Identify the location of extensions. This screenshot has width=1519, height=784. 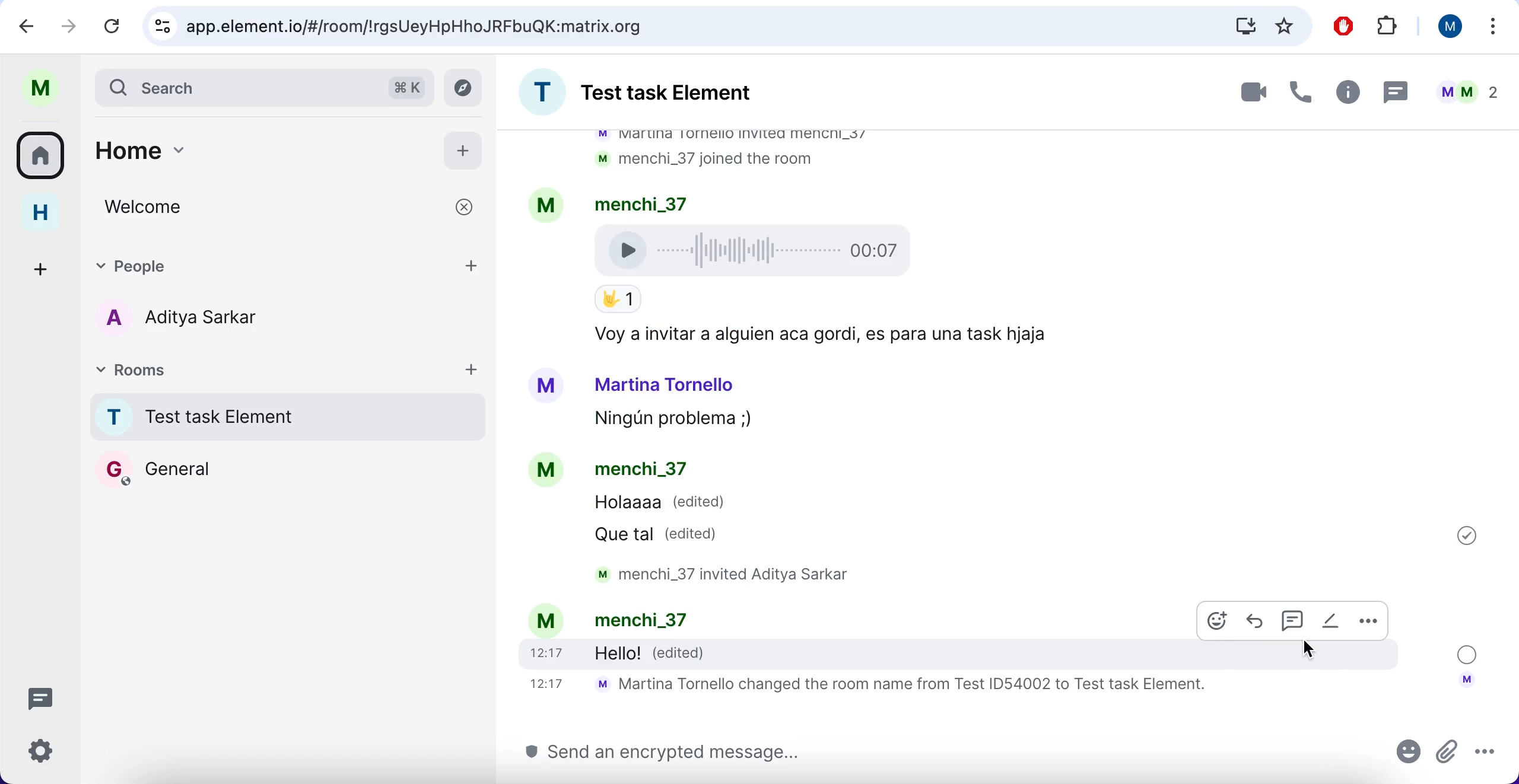
(1394, 26).